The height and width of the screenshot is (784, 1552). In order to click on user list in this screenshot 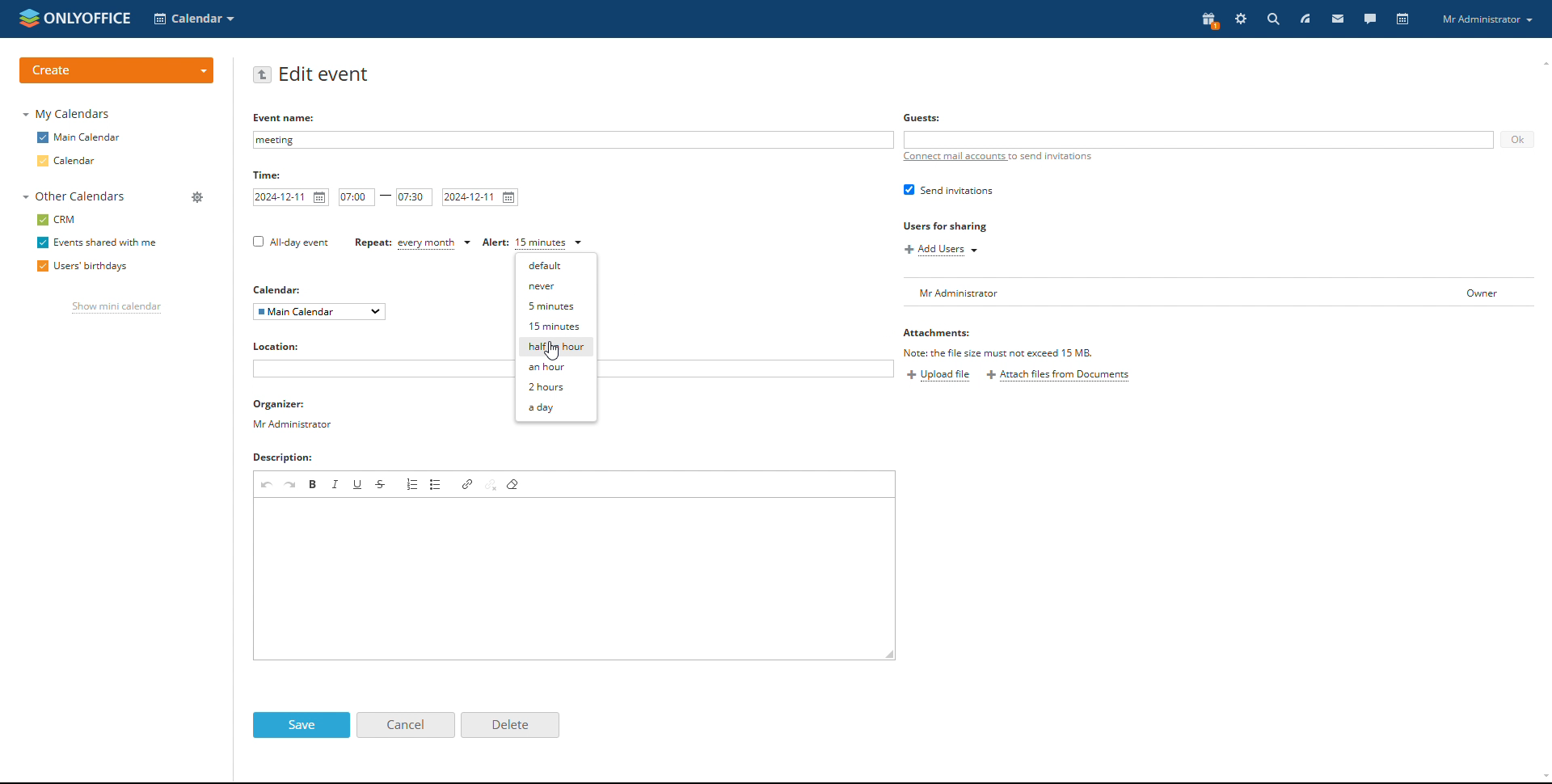, I will do `click(1168, 292)`.